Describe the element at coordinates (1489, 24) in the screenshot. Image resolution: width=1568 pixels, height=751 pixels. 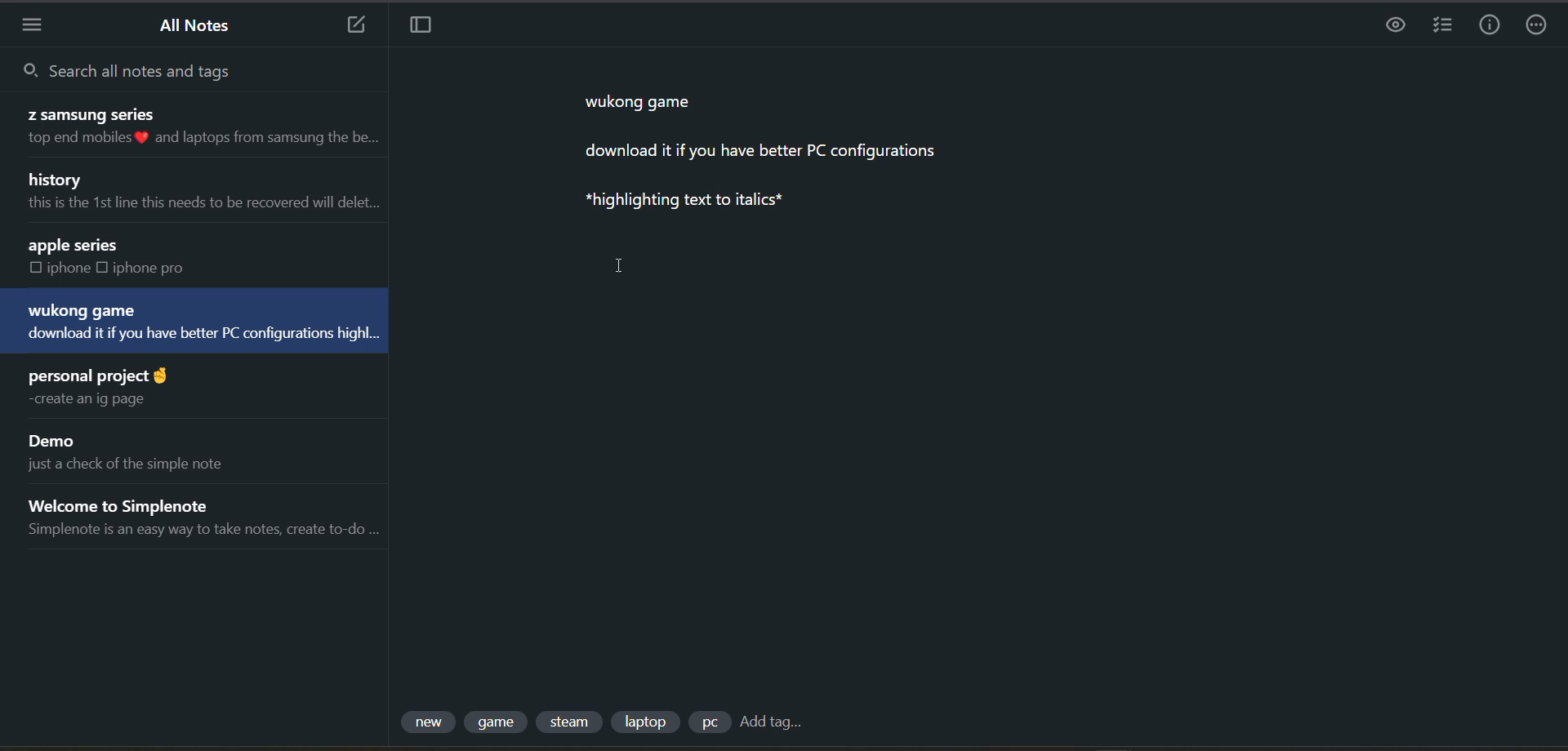
I see `info` at that location.